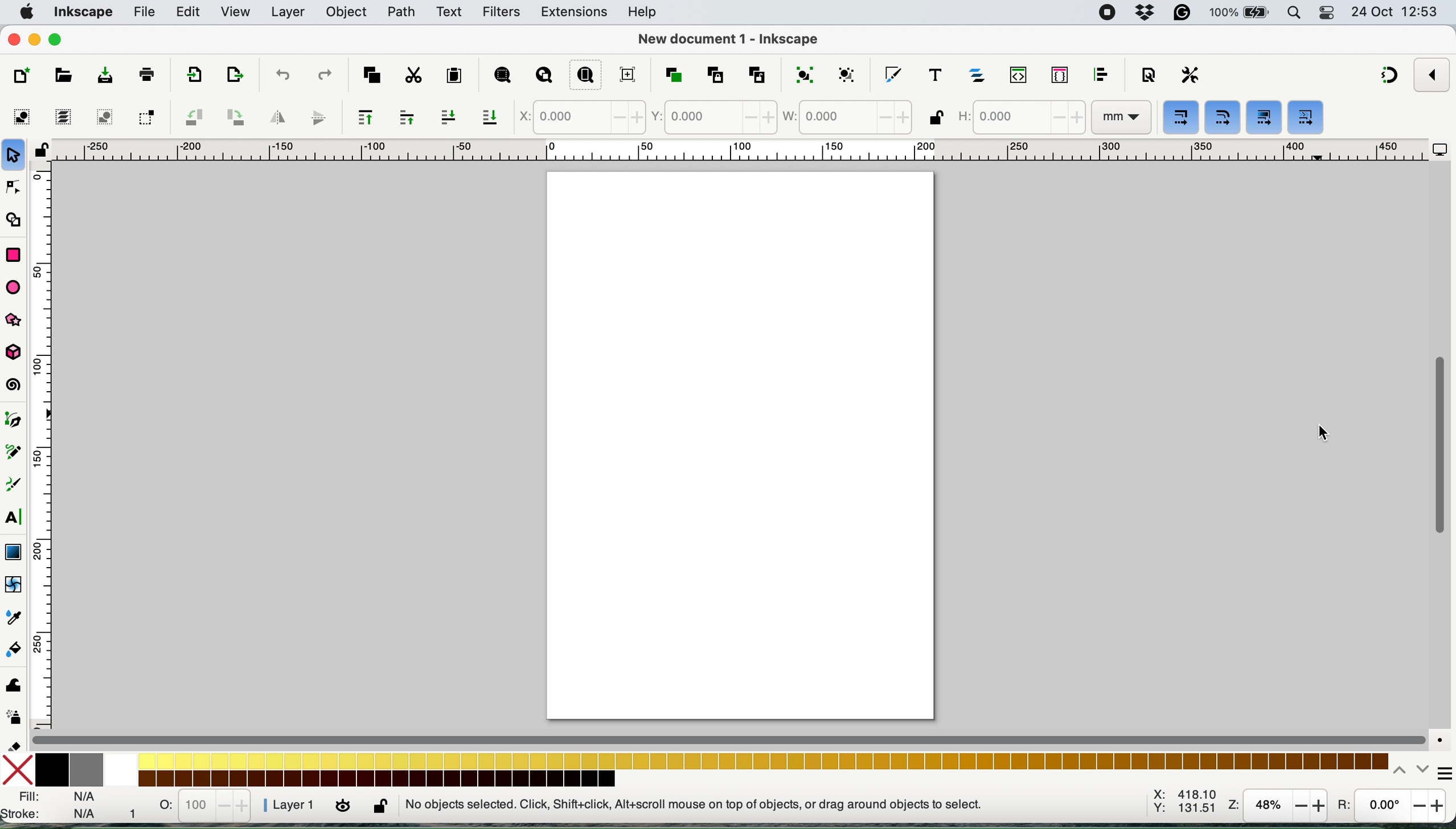 The height and width of the screenshot is (829, 1456). What do you see at coordinates (1180, 117) in the screenshot?
I see `when scaling objects scale the stroke width by the same proportion` at bounding box center [1180, 117].